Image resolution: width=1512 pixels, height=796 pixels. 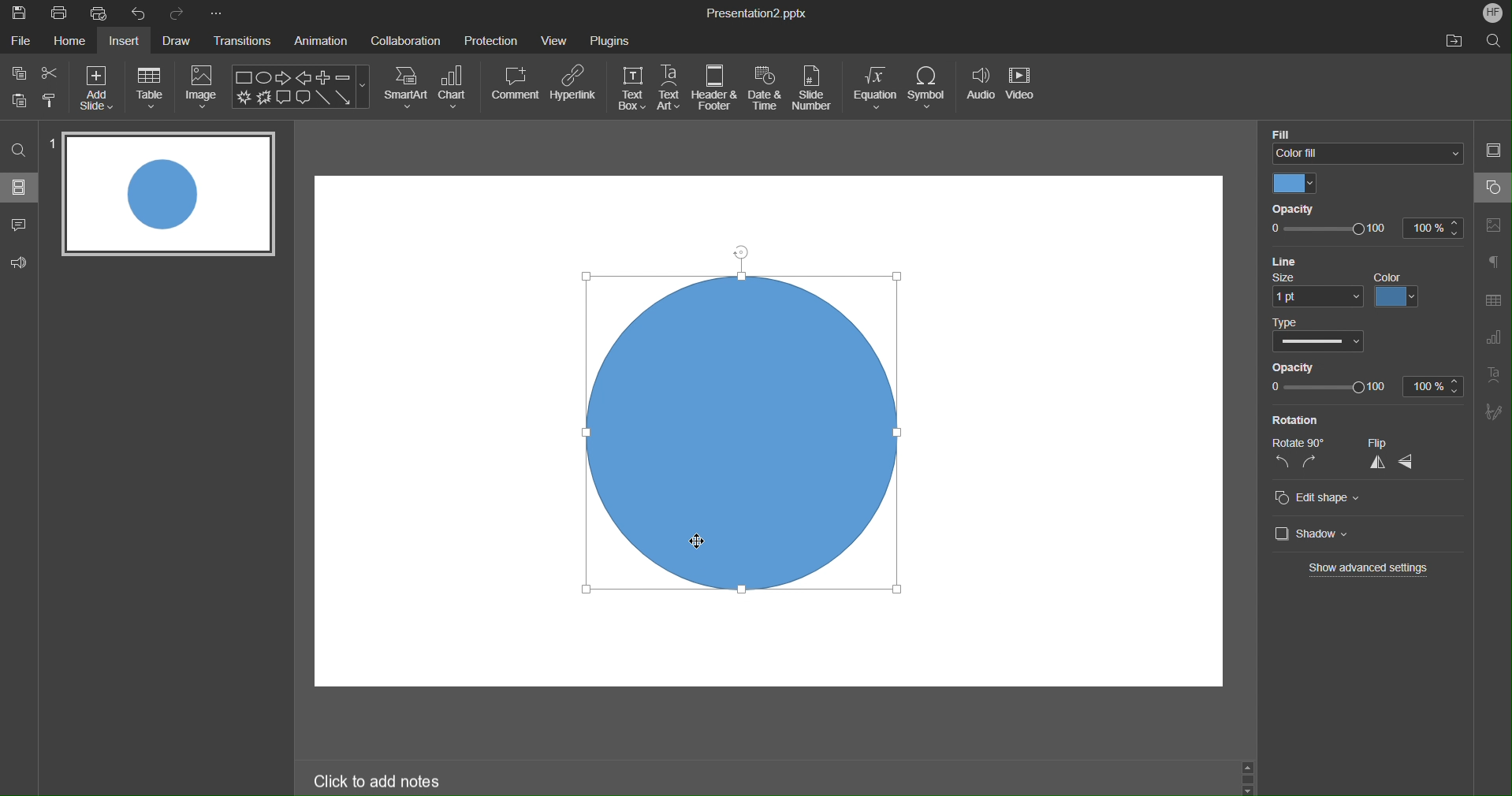 What do you see at coordinates (573, 84) in the screenshot?
I see `Hyperlink` at bounding box center [573, 84].